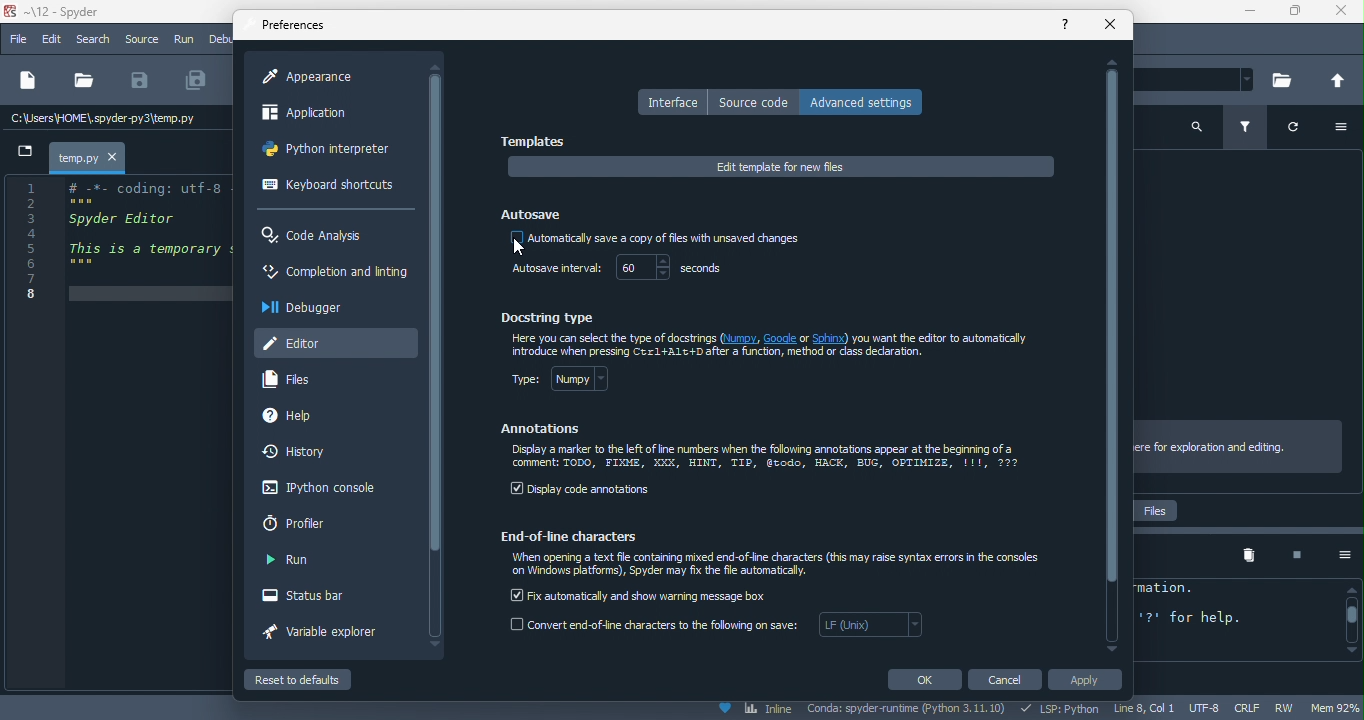 The image size is (1364, 720). Describe the element at coordinates (185, 41) in the screenshot. I see `run` at that location.